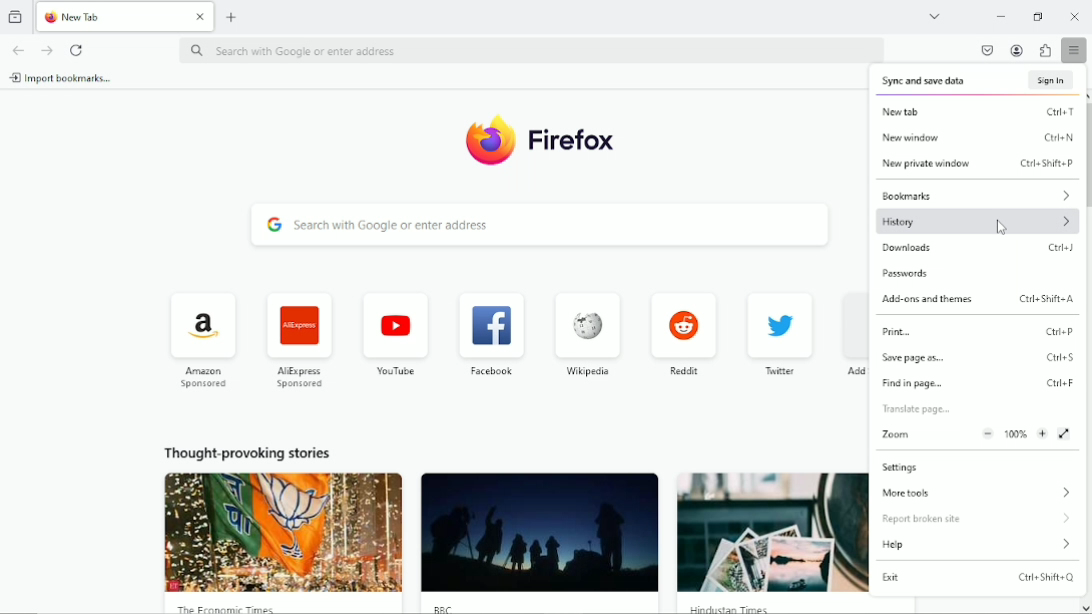 Image resolution: width=1092 pixels, height=614 pixels. Describe the element at coordinates (1038, 16) in the screenshot. I see `restore down` at that location.